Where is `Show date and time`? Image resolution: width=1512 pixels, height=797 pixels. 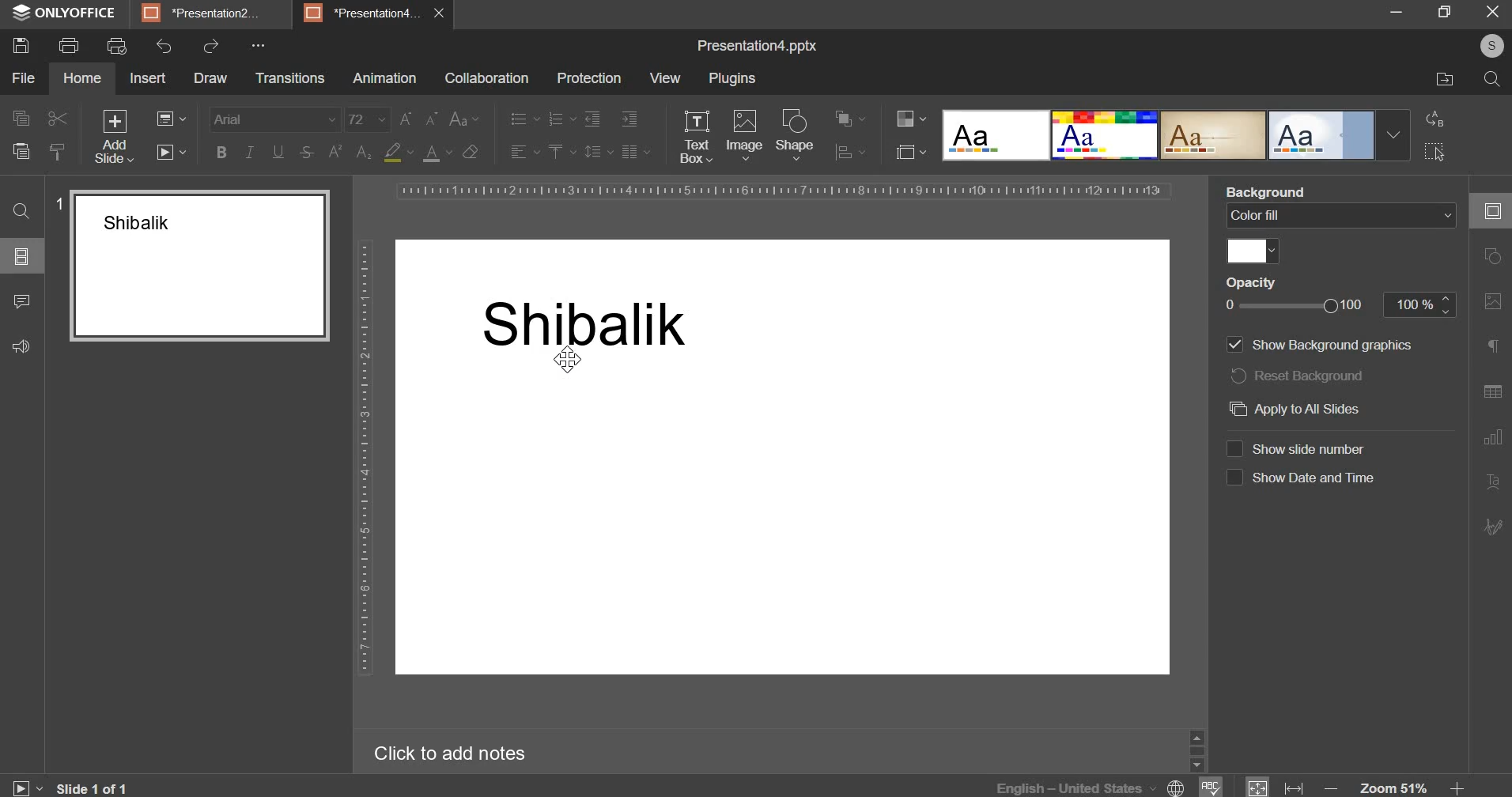 Show date and time is located at coordinates (1302, 477).